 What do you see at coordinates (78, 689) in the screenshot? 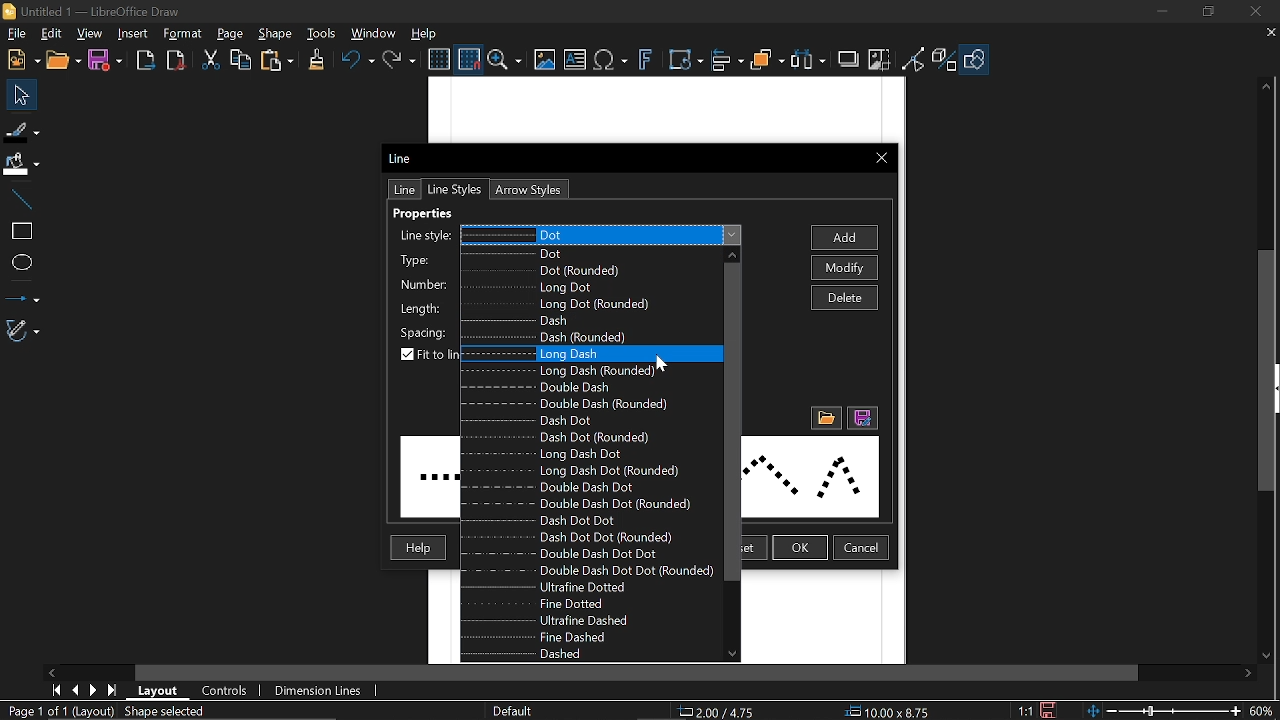
I see `Previous page` at bounding box center [78, 689].